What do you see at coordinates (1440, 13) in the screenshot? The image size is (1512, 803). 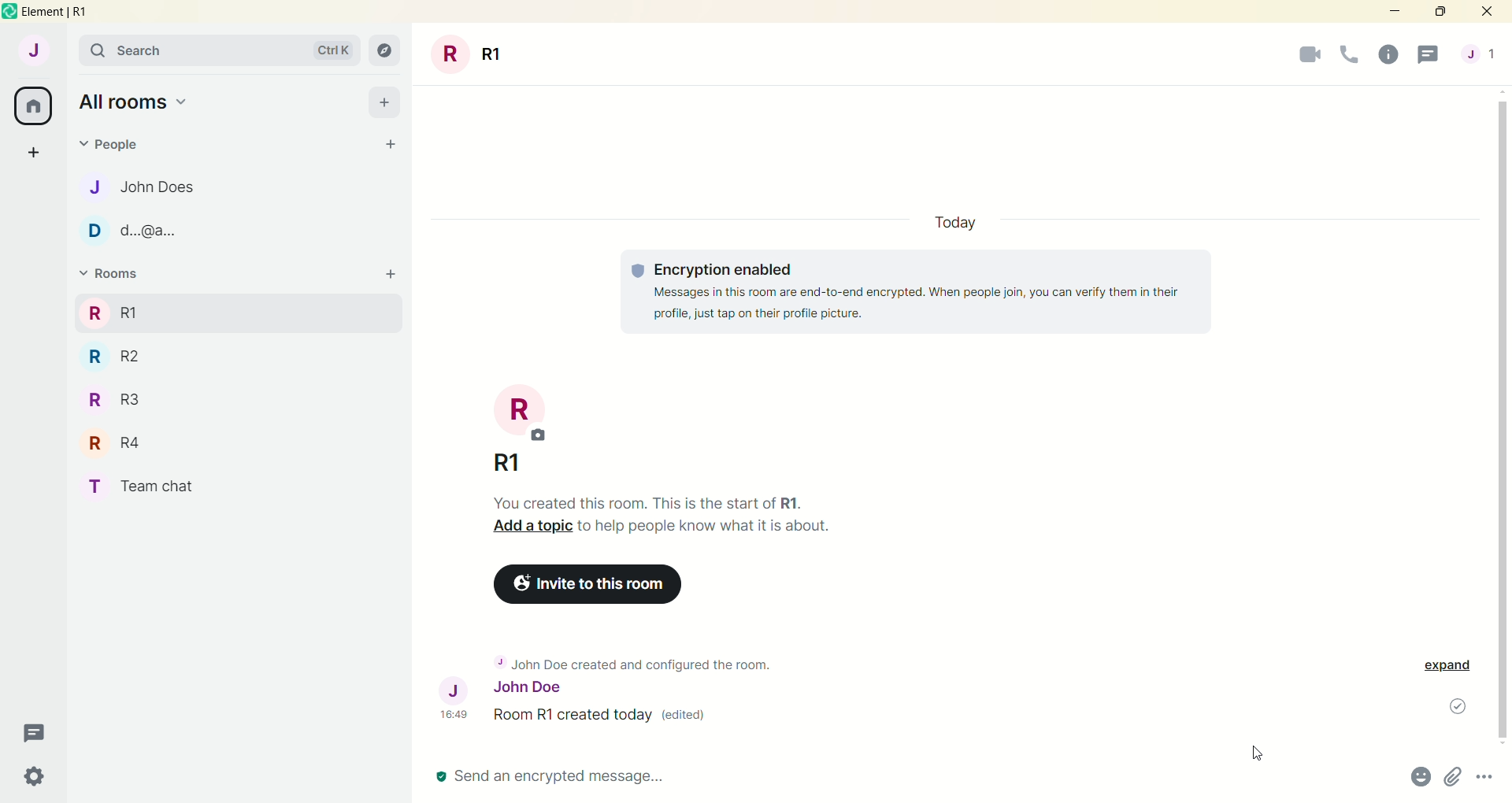 I see `maximize` at bounding box center [1440, 13].